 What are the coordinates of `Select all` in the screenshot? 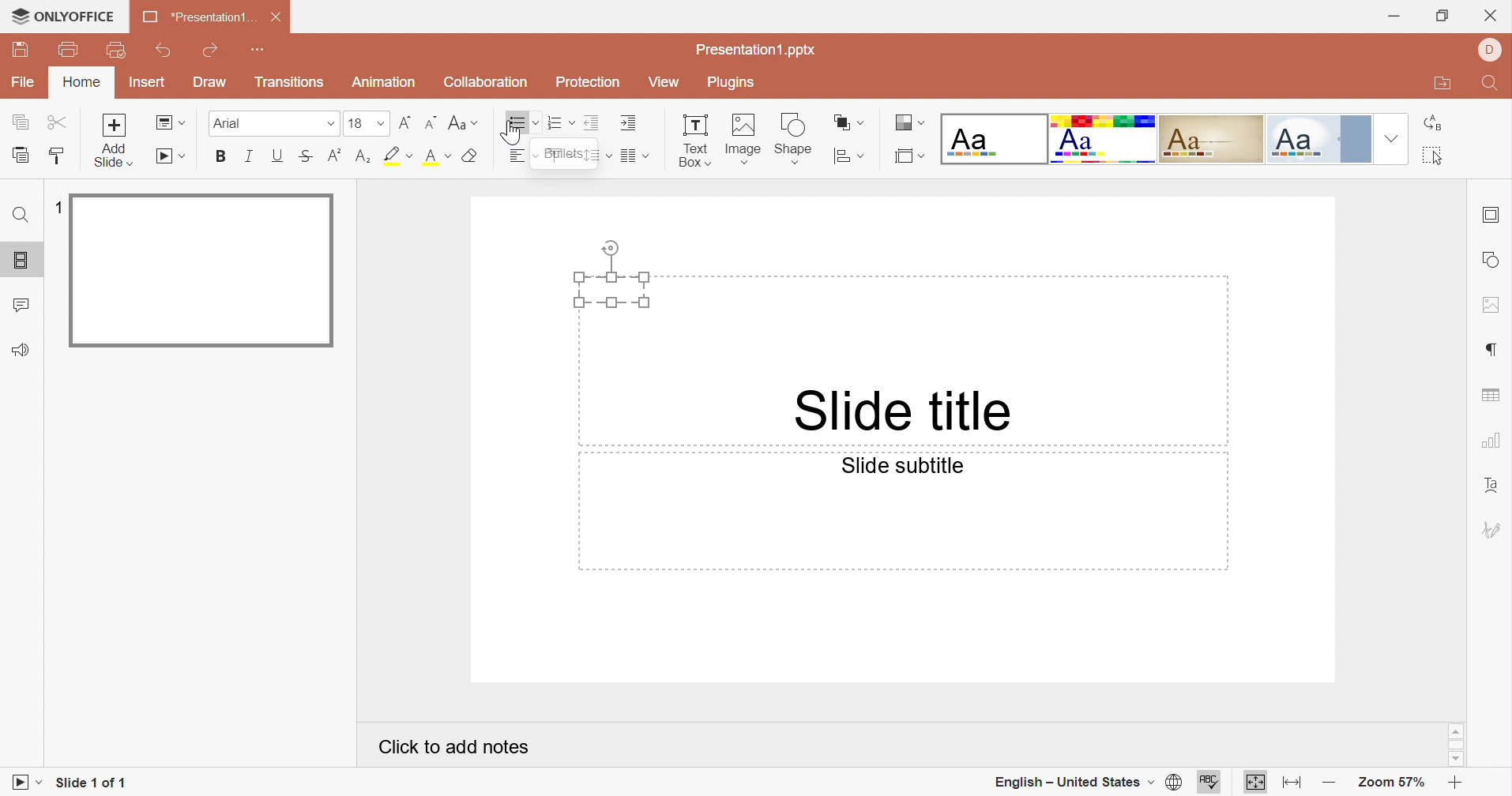 It's located at (1440, 159).